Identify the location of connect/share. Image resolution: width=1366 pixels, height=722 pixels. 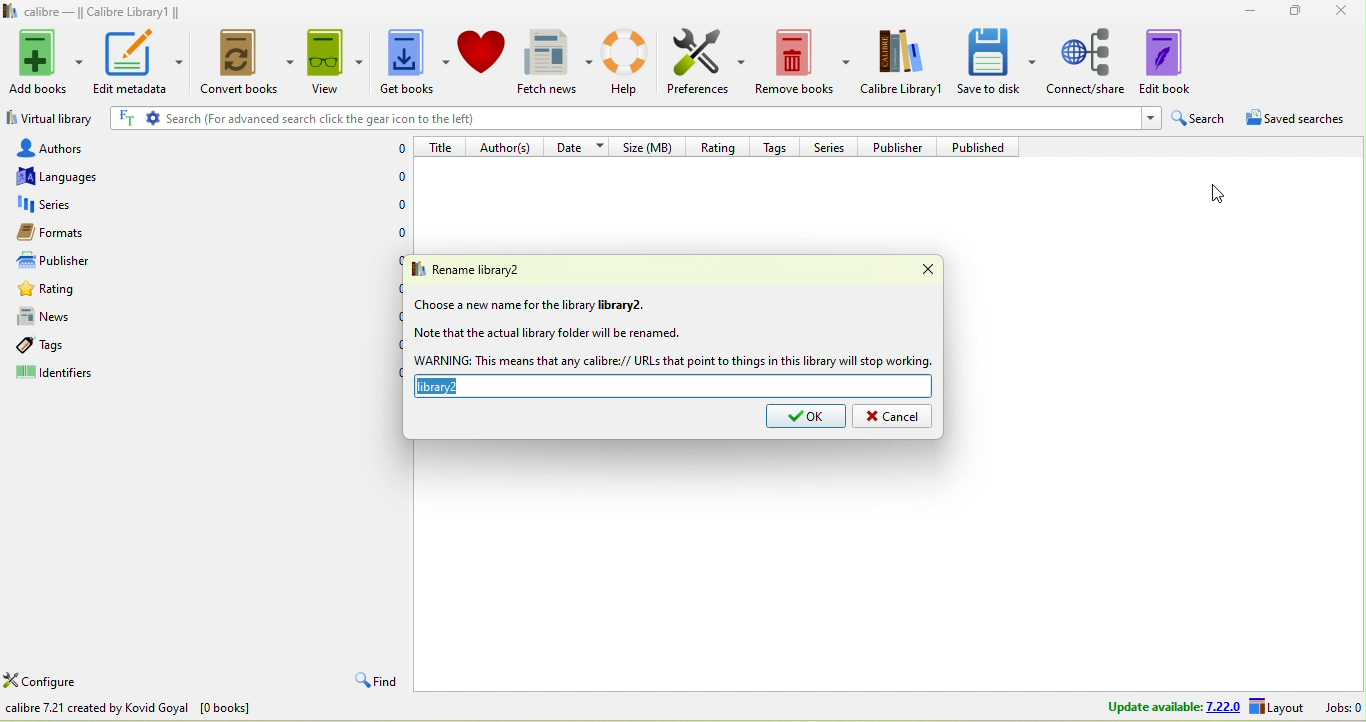
(1087, 60).